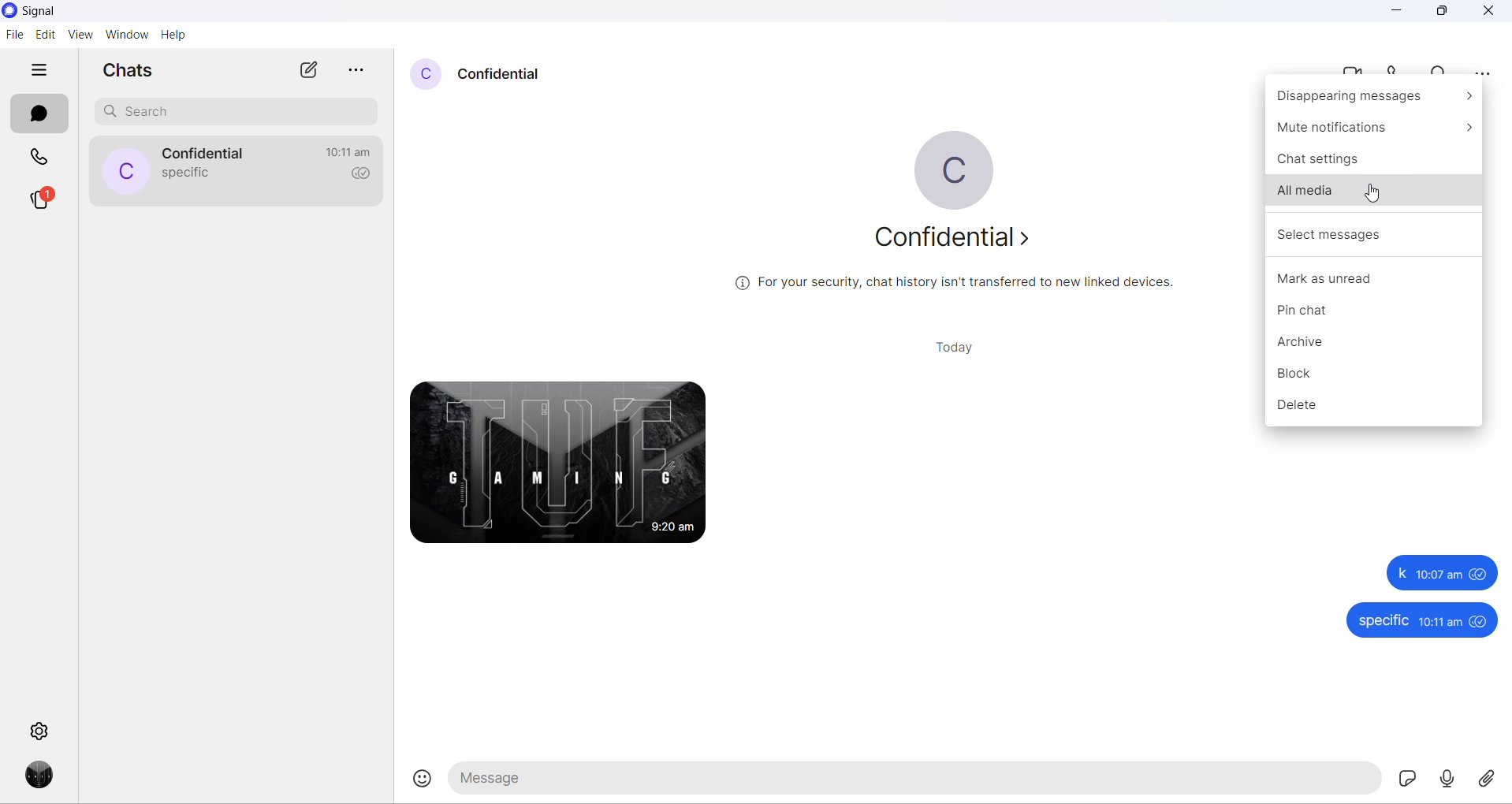 The height and width of the screenshot is (804, 1512). I want to click on select messages, so click(1372, 236).